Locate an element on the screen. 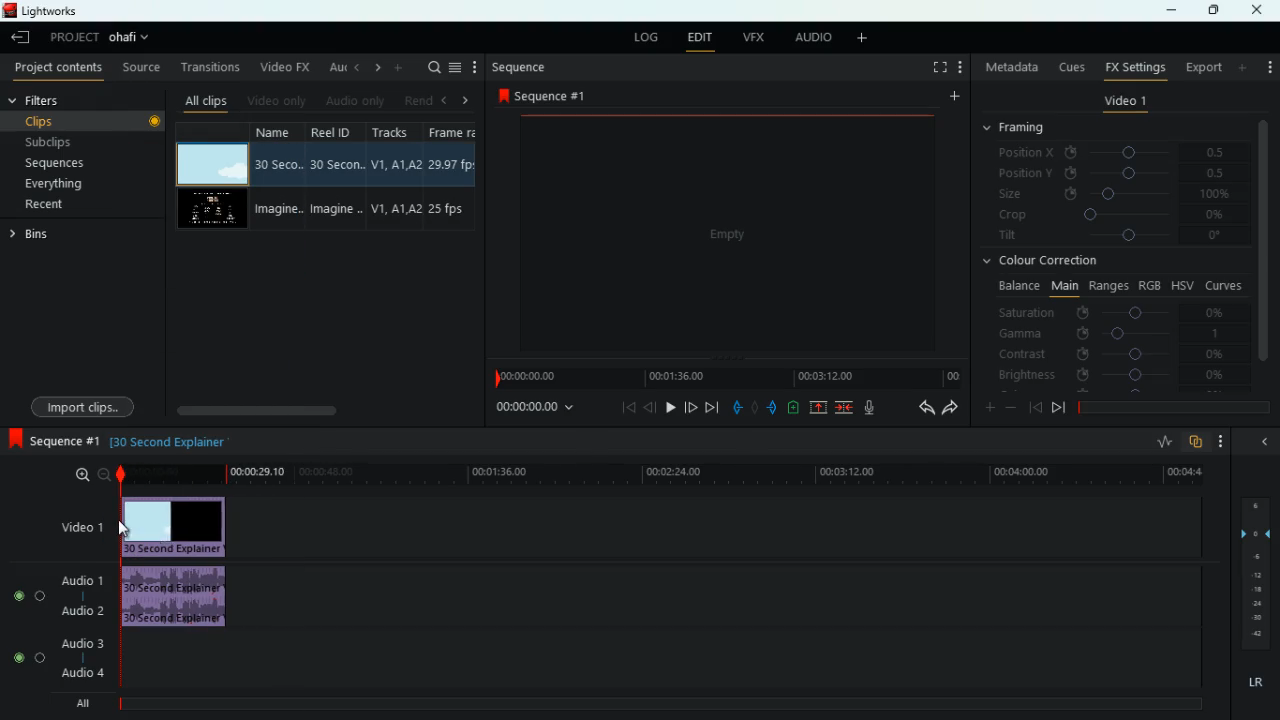 The image size is (1280, 720). add is located at coordinates (1269, 66).